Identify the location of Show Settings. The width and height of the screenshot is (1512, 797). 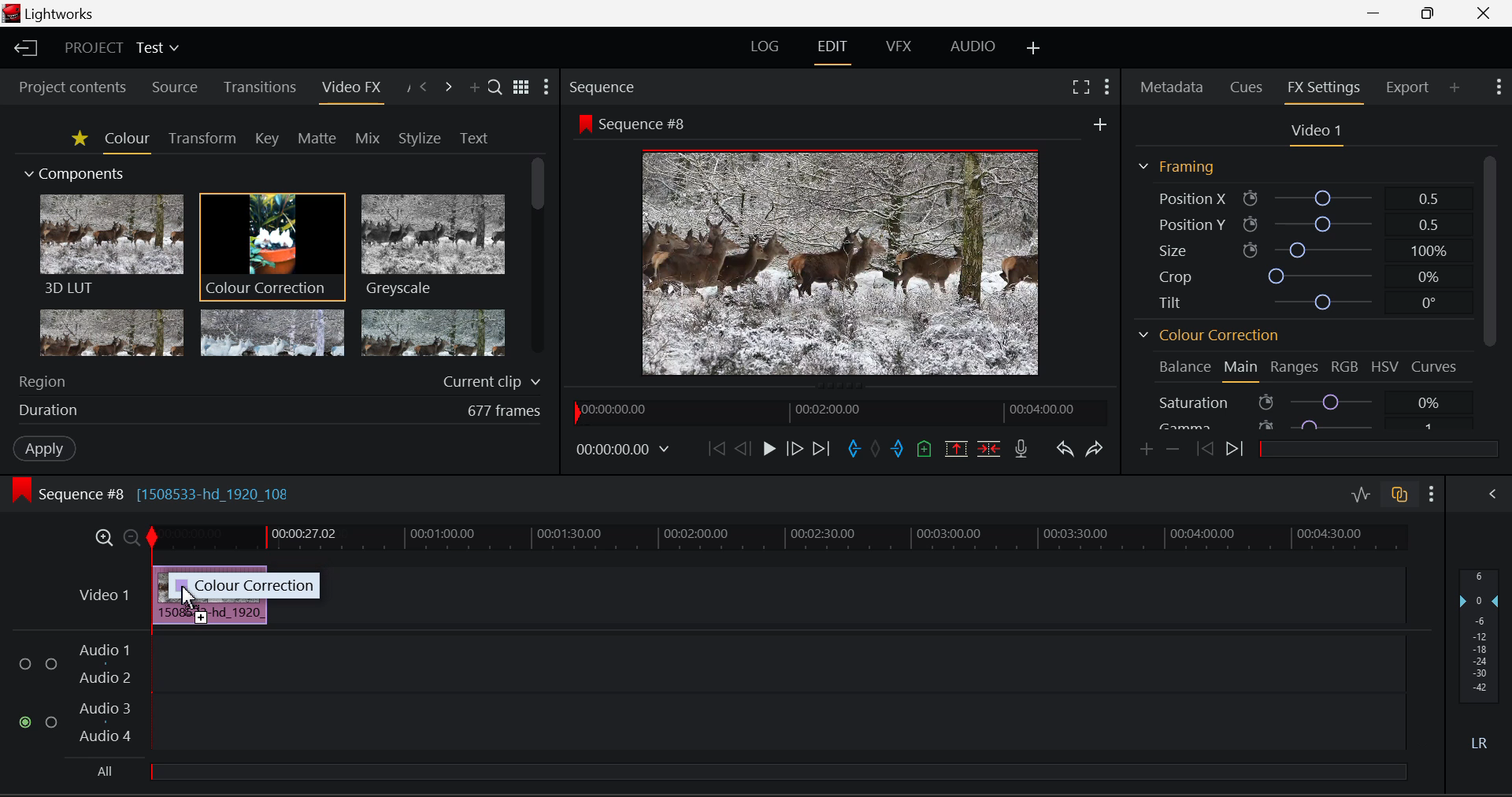
(1432, 495).